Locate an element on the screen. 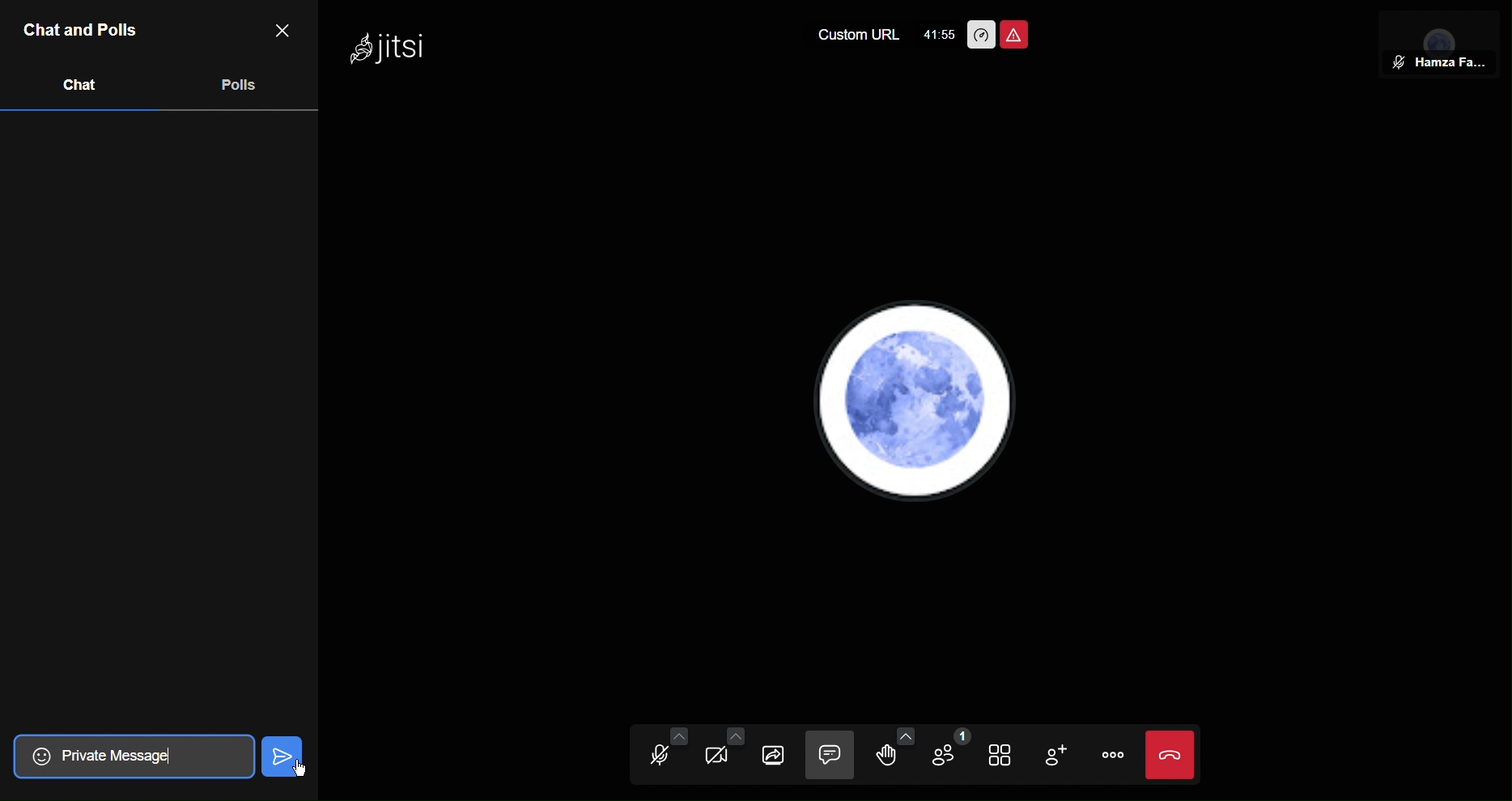  More is located at coordinates (1122, 756).